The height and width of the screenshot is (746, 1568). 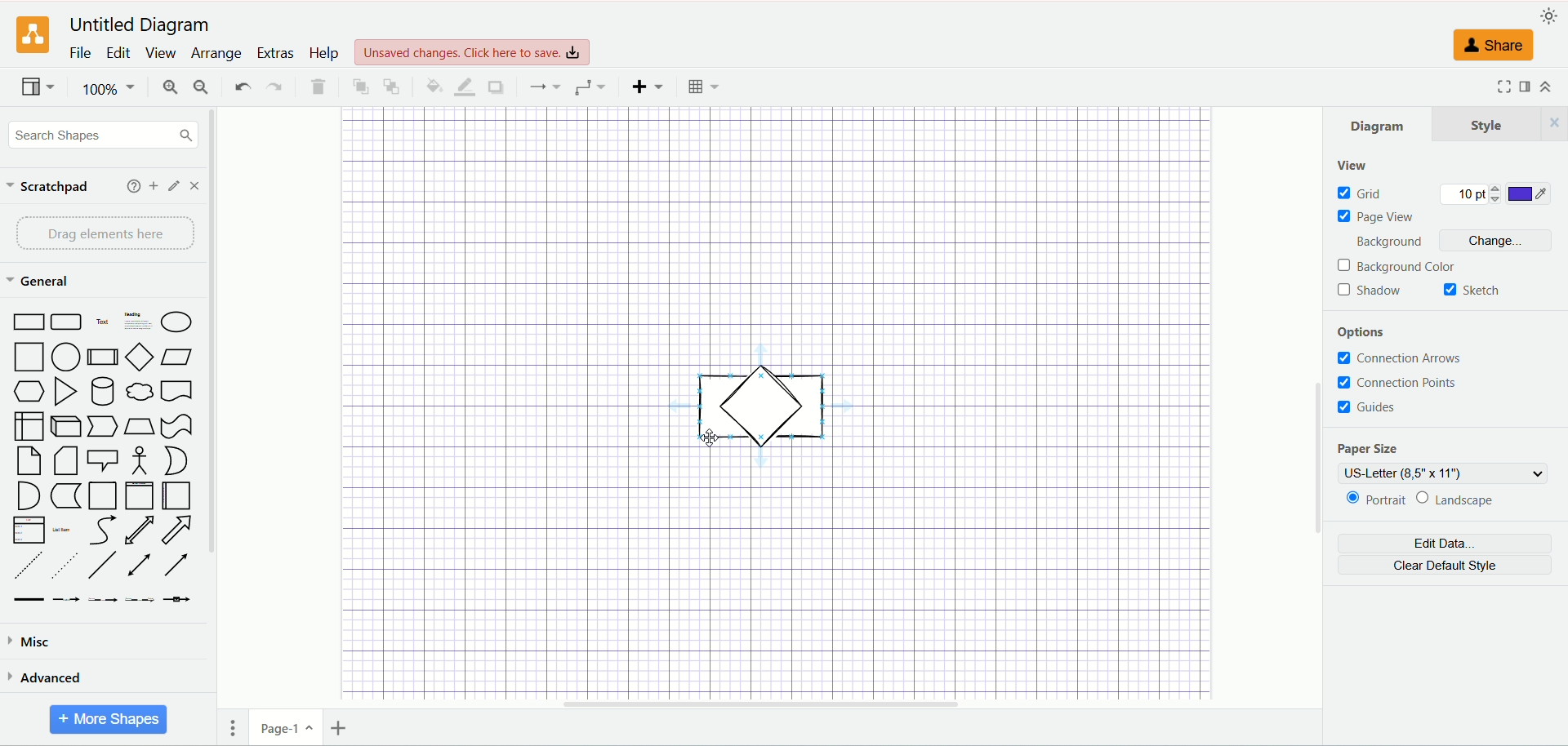 I want to click on to back, so click(x=392, y=85).